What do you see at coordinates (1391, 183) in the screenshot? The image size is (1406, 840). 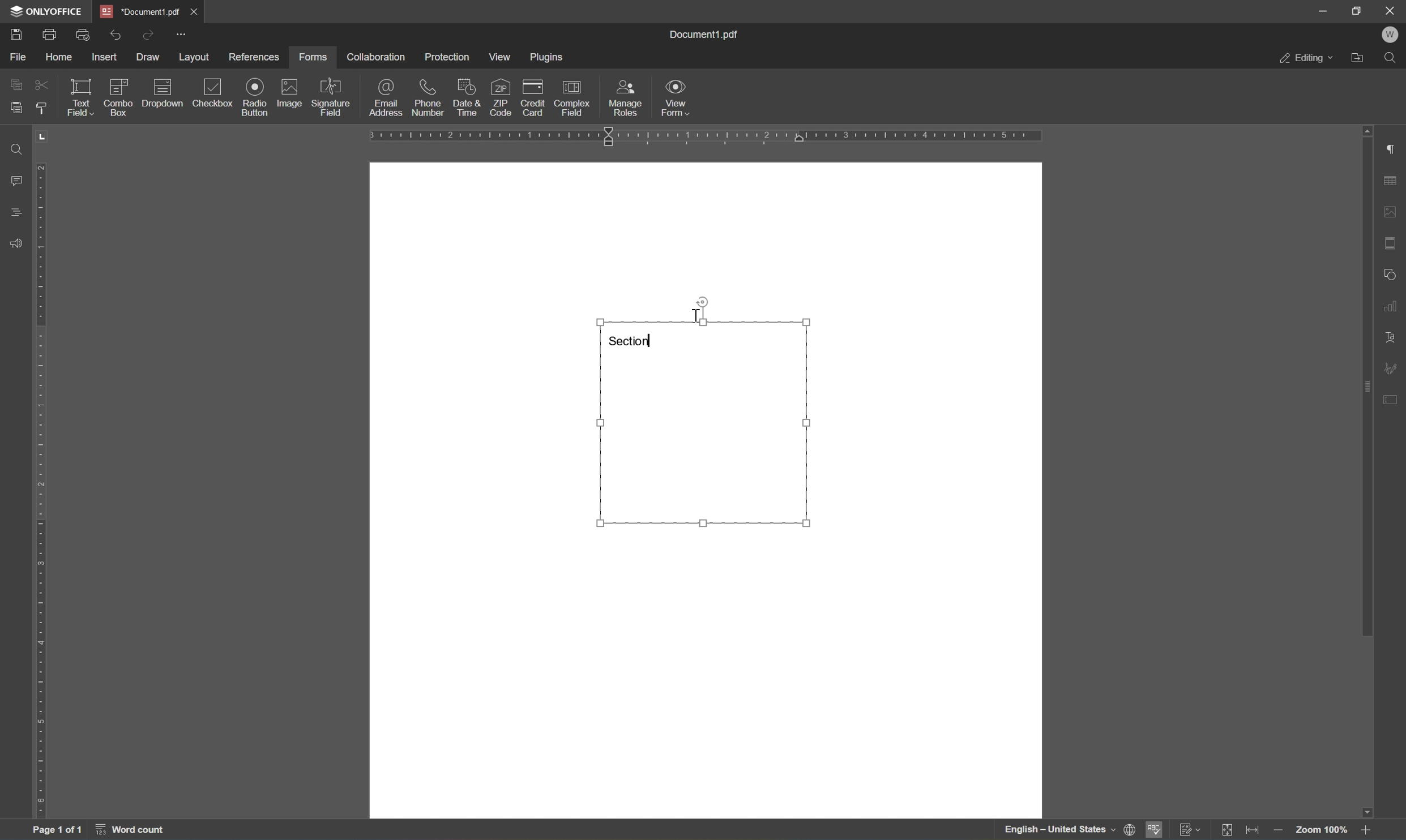 I see `table settings` at bounding box center [1391, 183].